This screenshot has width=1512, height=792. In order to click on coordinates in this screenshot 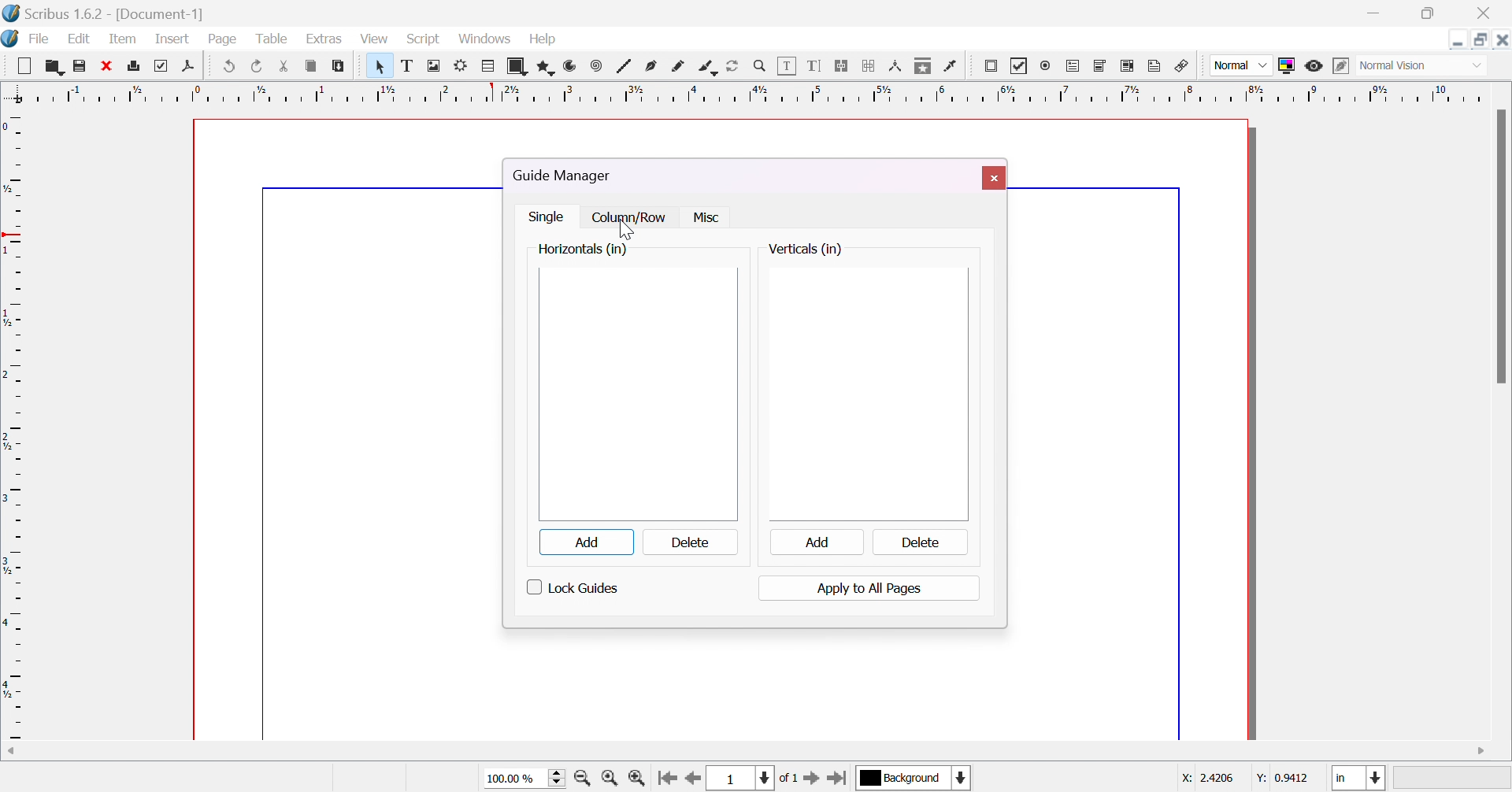, I will do `click(1236, 780)`.